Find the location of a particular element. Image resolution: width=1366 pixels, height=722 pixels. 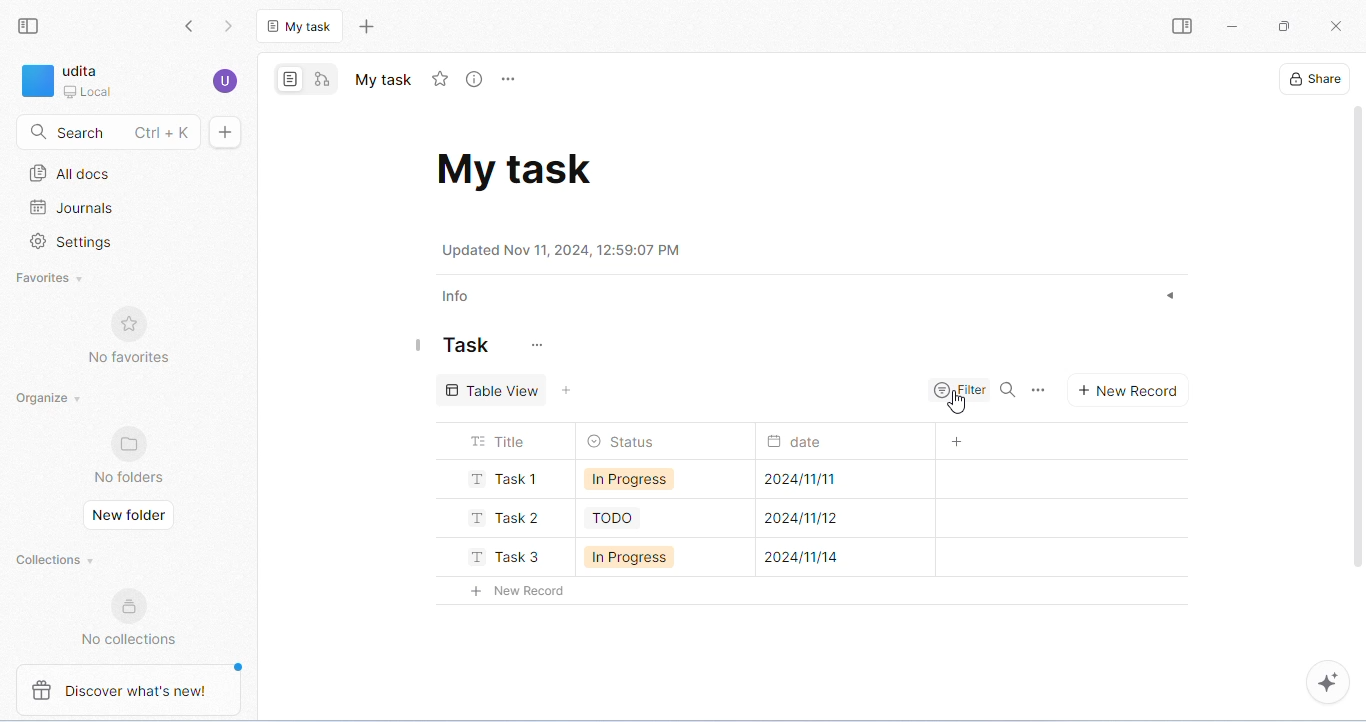

AI assistant is located at coordinates (1326, 682).